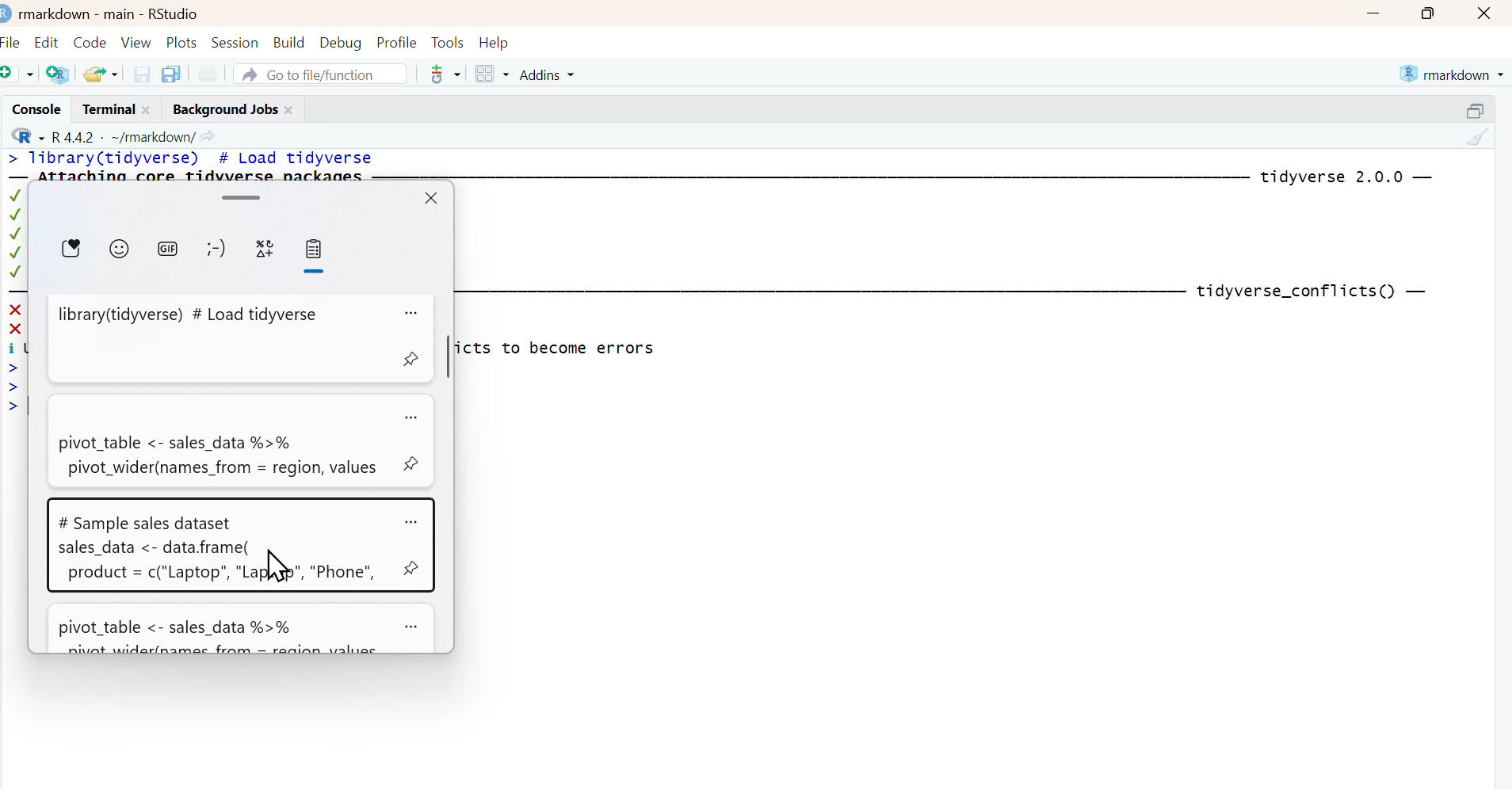 The height and width of the screenshot is (789, 1512). I want to click on clipboard, so click(318, 257).